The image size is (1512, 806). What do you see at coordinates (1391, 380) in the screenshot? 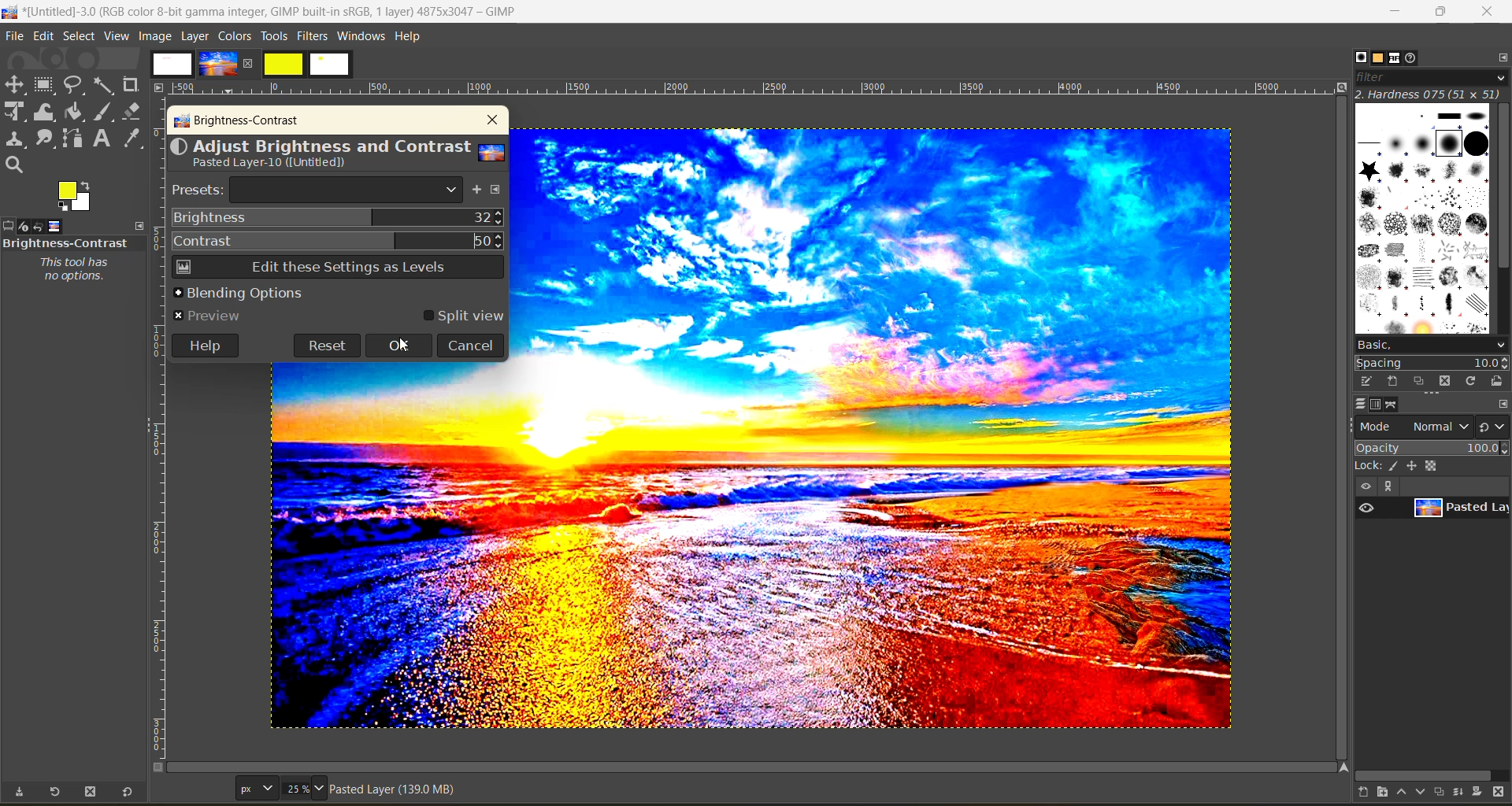
I see `create a new brush` at bounding box center [1391, 380].